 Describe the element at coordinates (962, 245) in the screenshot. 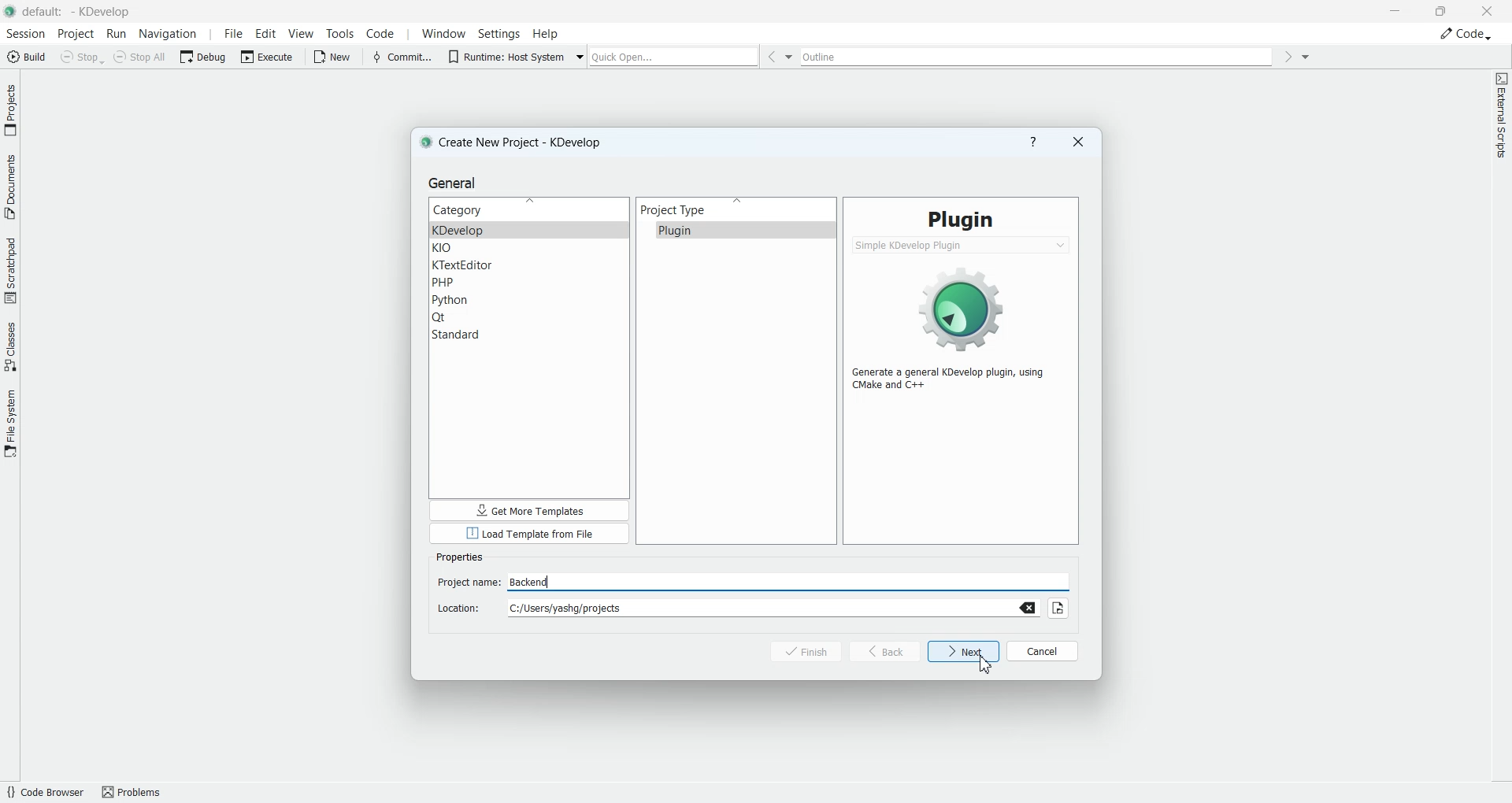

I see `Plugin drop down box` at that location.